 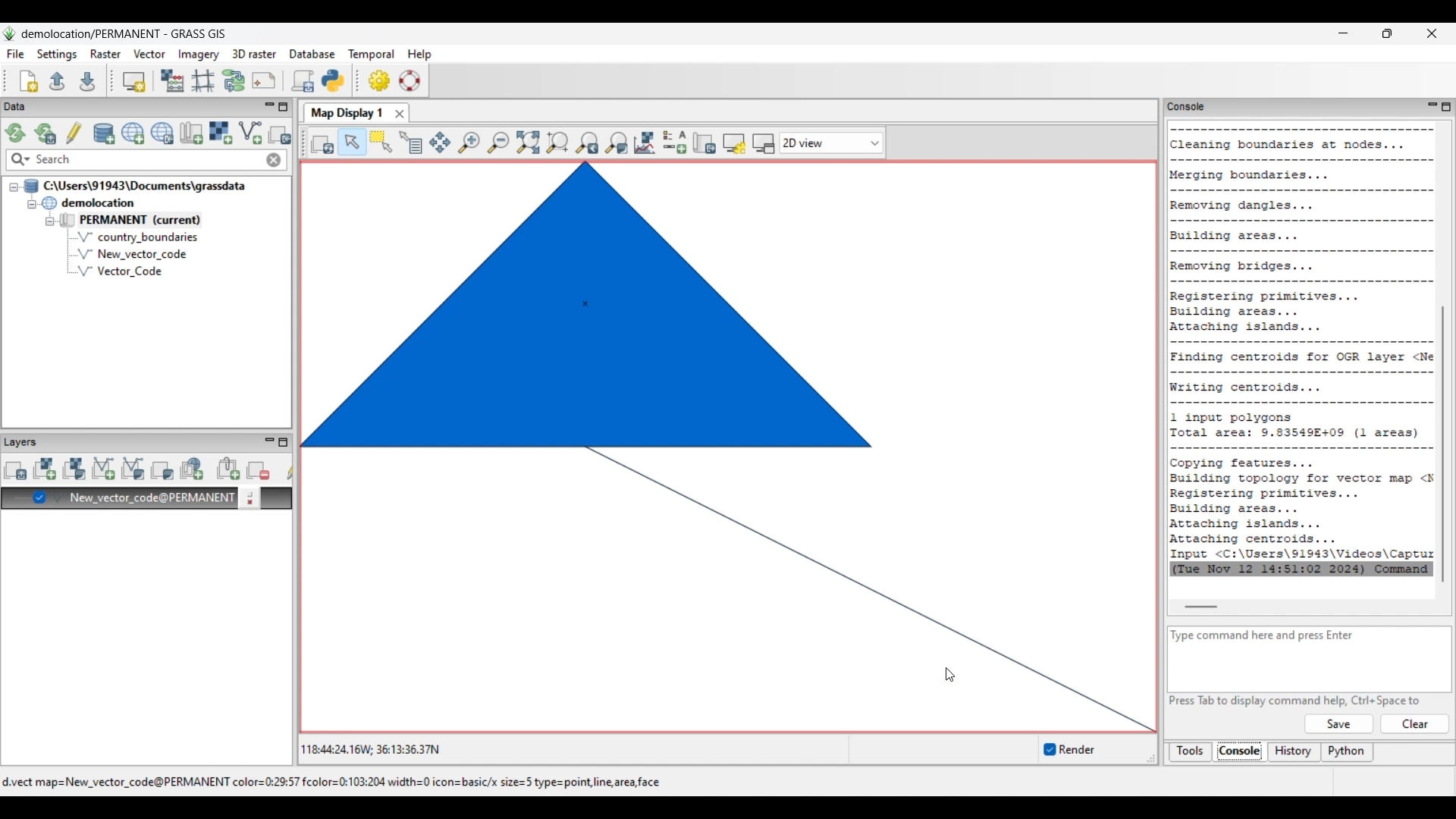 I want to click on Select vector feature(s), so click(x=381, y=143).